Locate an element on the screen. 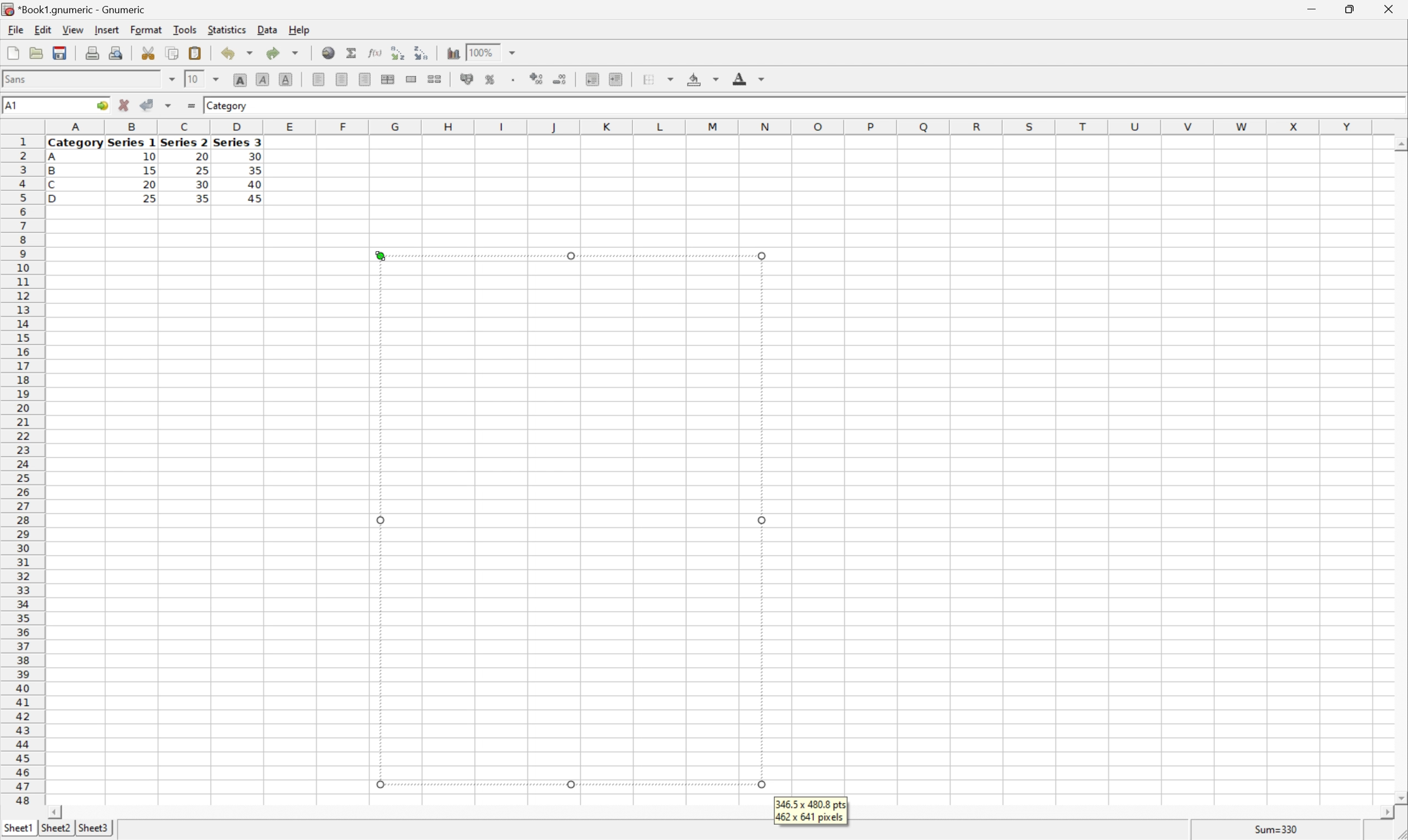 Image resolution: width=1408 pixels, height=840 pixels. 35 is located at coordinates (202, 198).